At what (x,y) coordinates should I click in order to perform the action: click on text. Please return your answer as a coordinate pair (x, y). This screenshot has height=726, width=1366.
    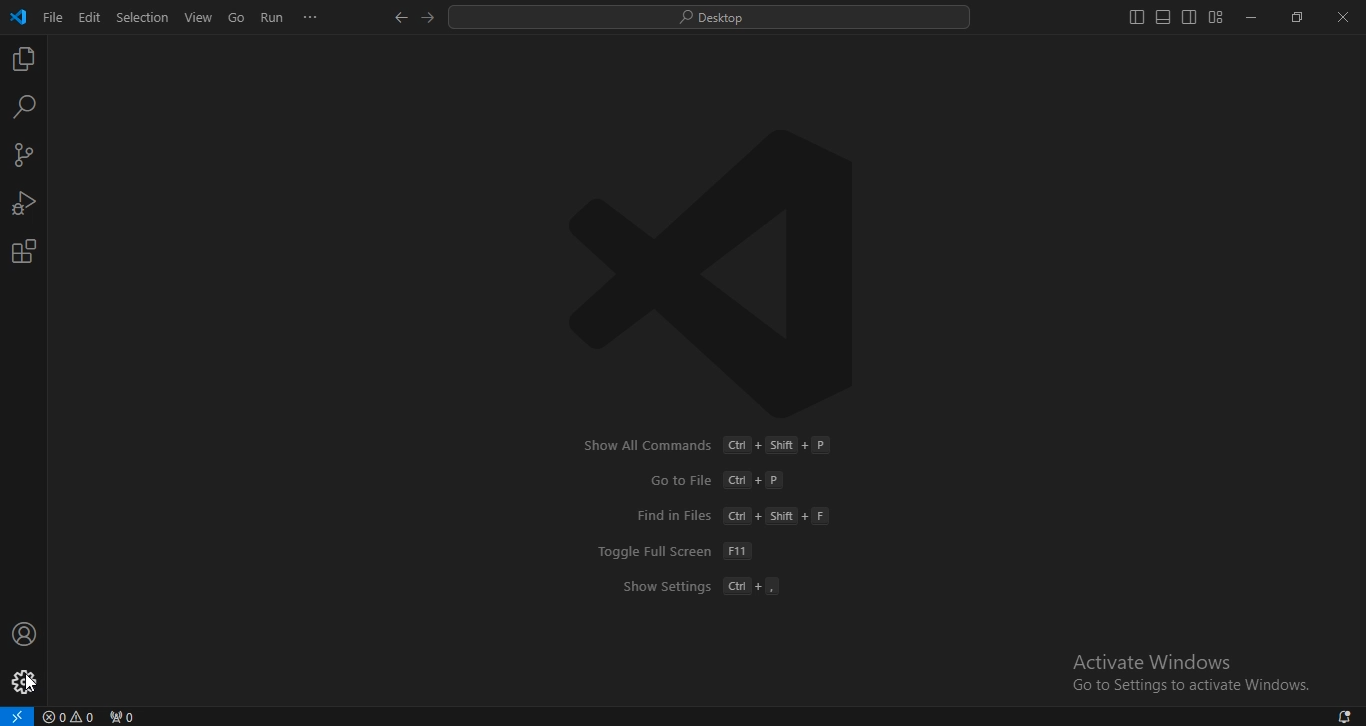
    Looking at the image, I should click on (734, 516).